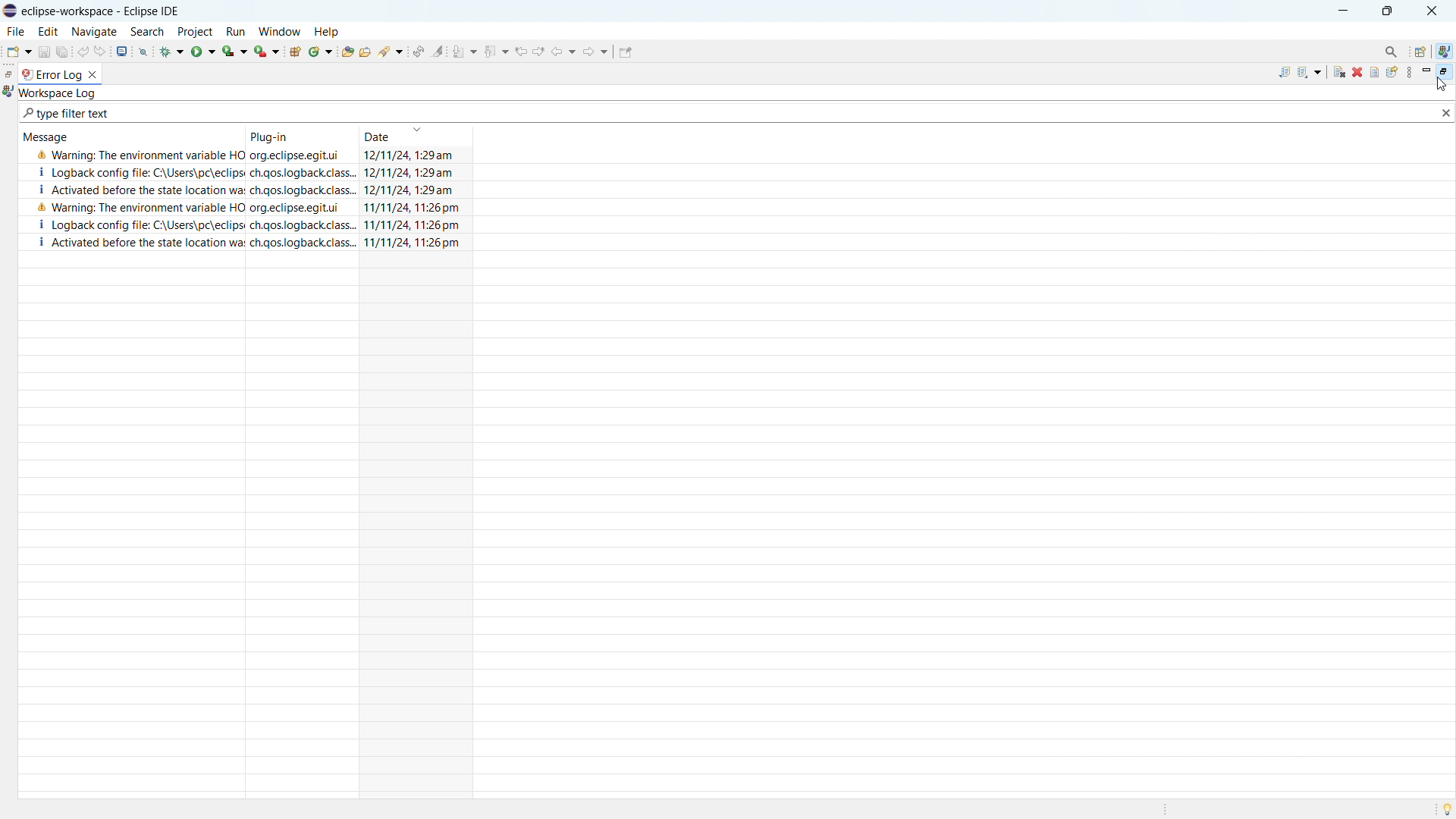 The width and height of the screenshot is (1456, 819). Describe the element at coordinates (296, 52) in the screenshot. I see `new java type` at that location.